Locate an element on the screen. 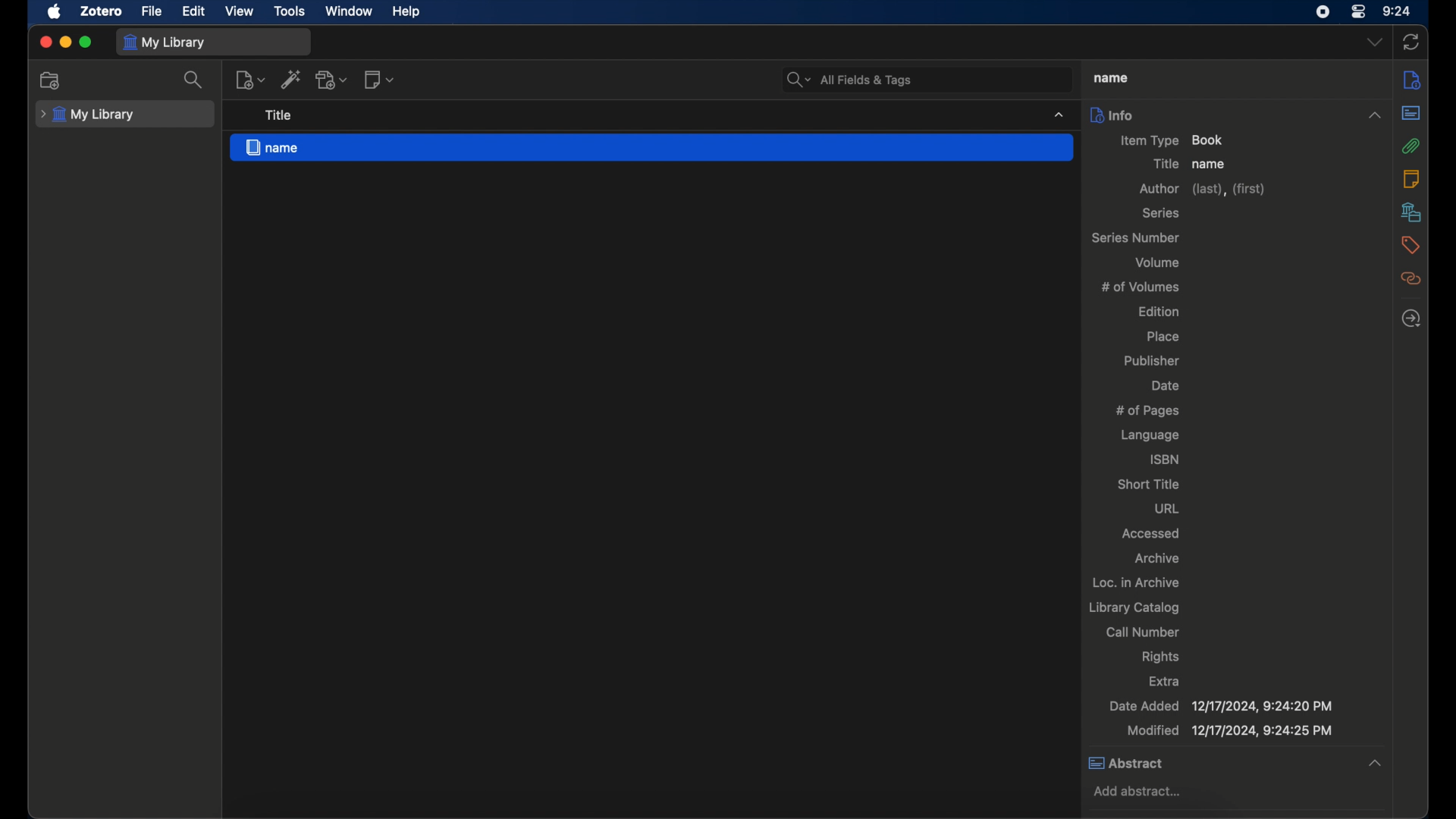 The image size is (1456, 819). rights is located at coordinates (1160, 656).